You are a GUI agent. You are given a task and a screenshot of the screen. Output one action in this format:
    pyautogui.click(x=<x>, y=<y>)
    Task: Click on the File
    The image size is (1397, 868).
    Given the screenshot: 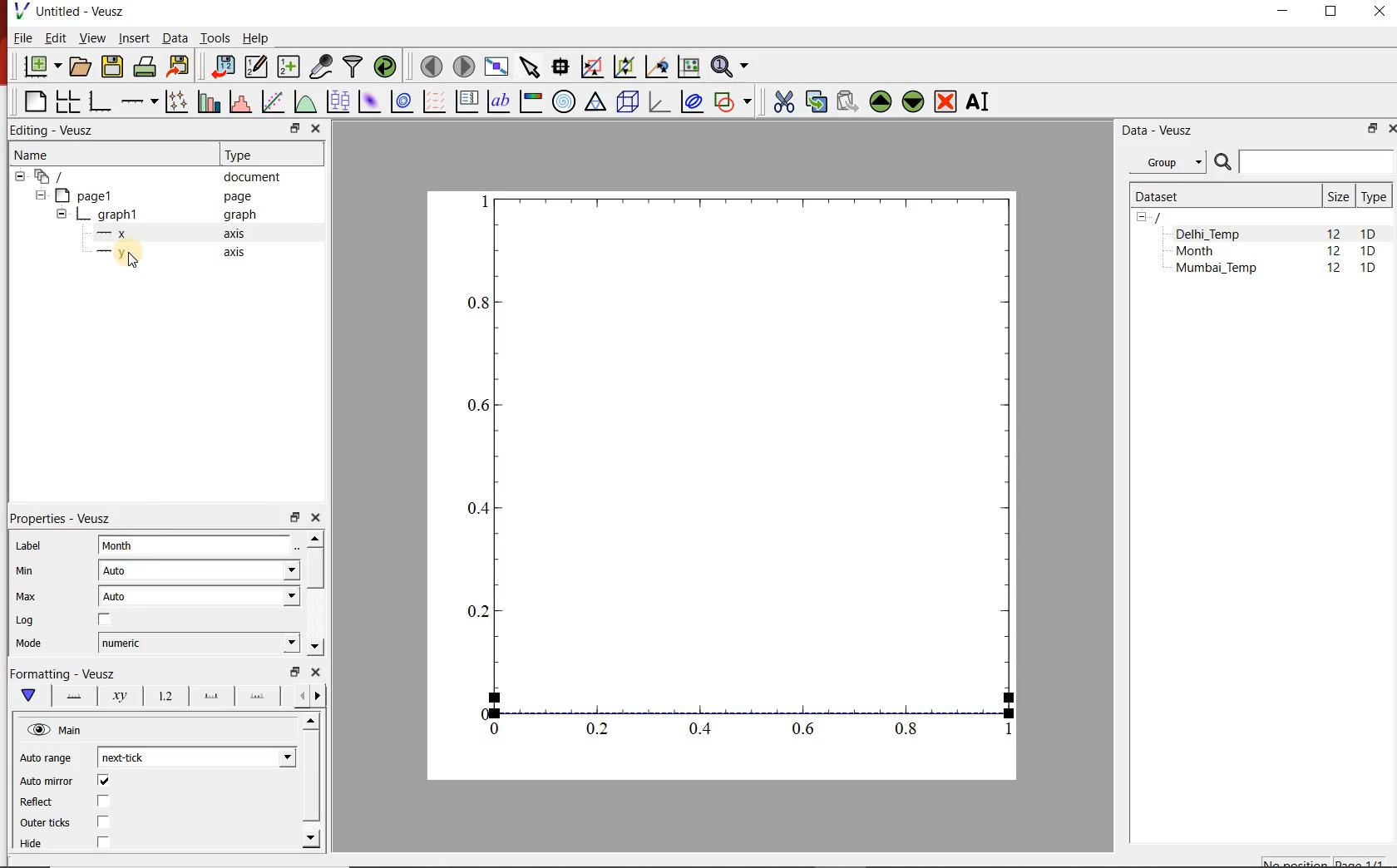 What is the action you would take?
    pyautogui.click(x=22, y=37)
    